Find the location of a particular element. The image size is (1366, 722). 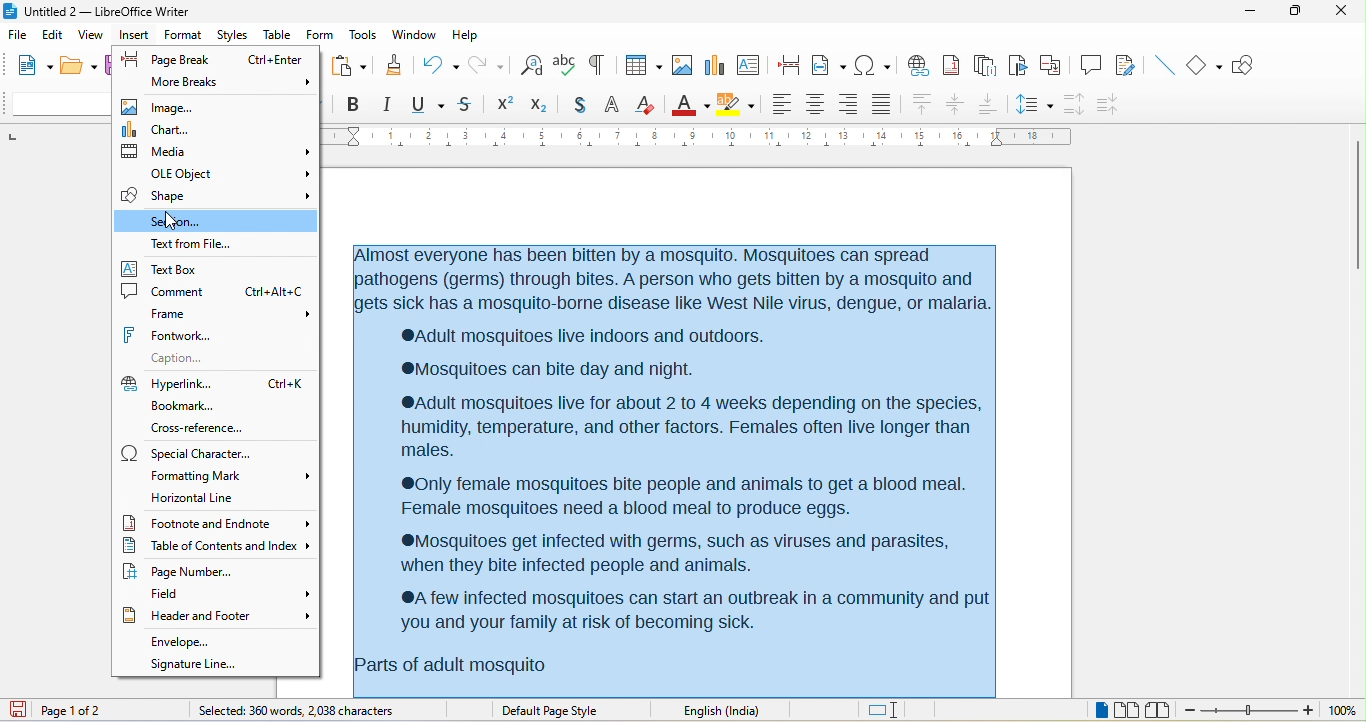

superscript is located at coordinates (506, 104).